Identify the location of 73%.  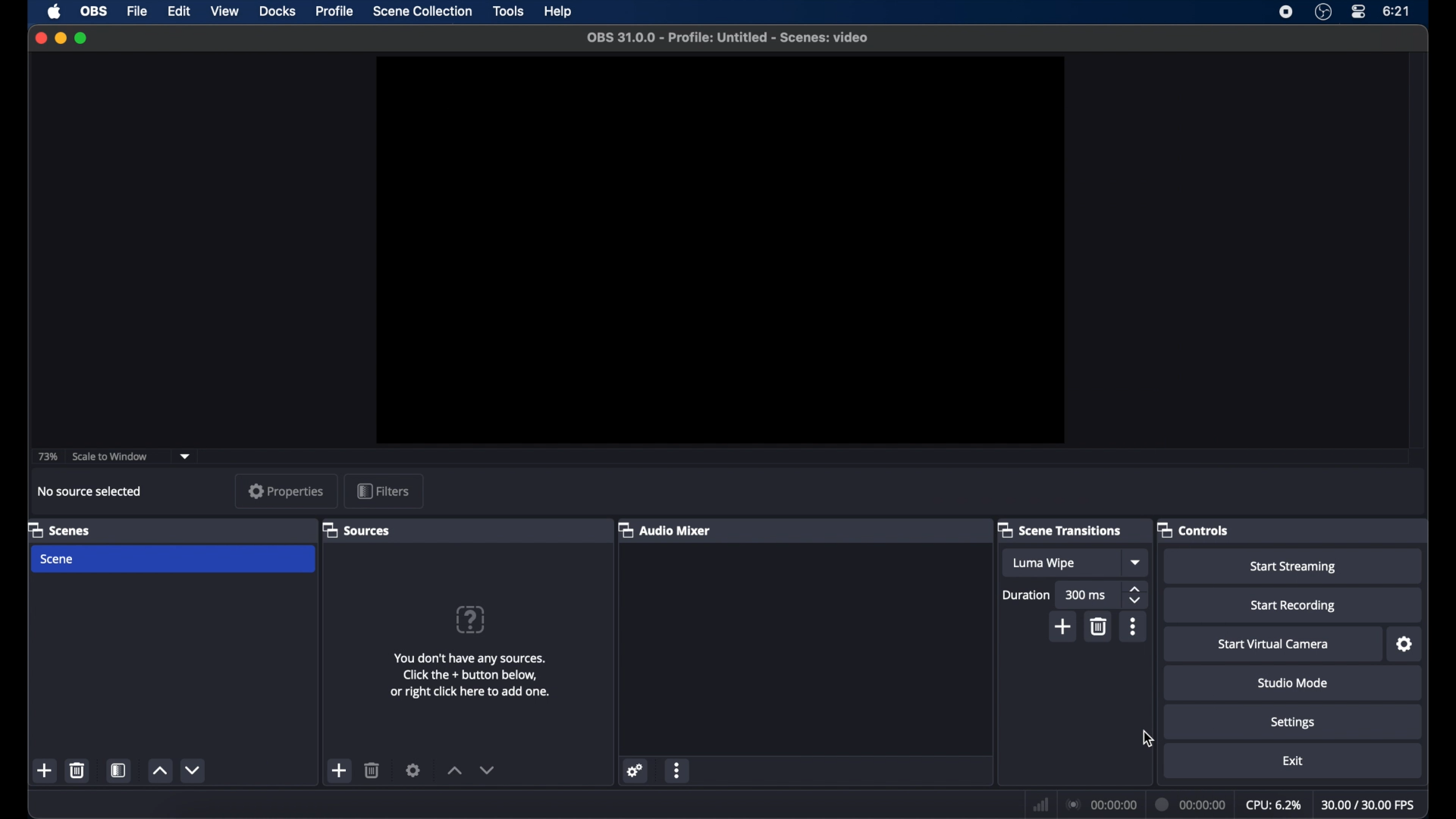
(47, 457).